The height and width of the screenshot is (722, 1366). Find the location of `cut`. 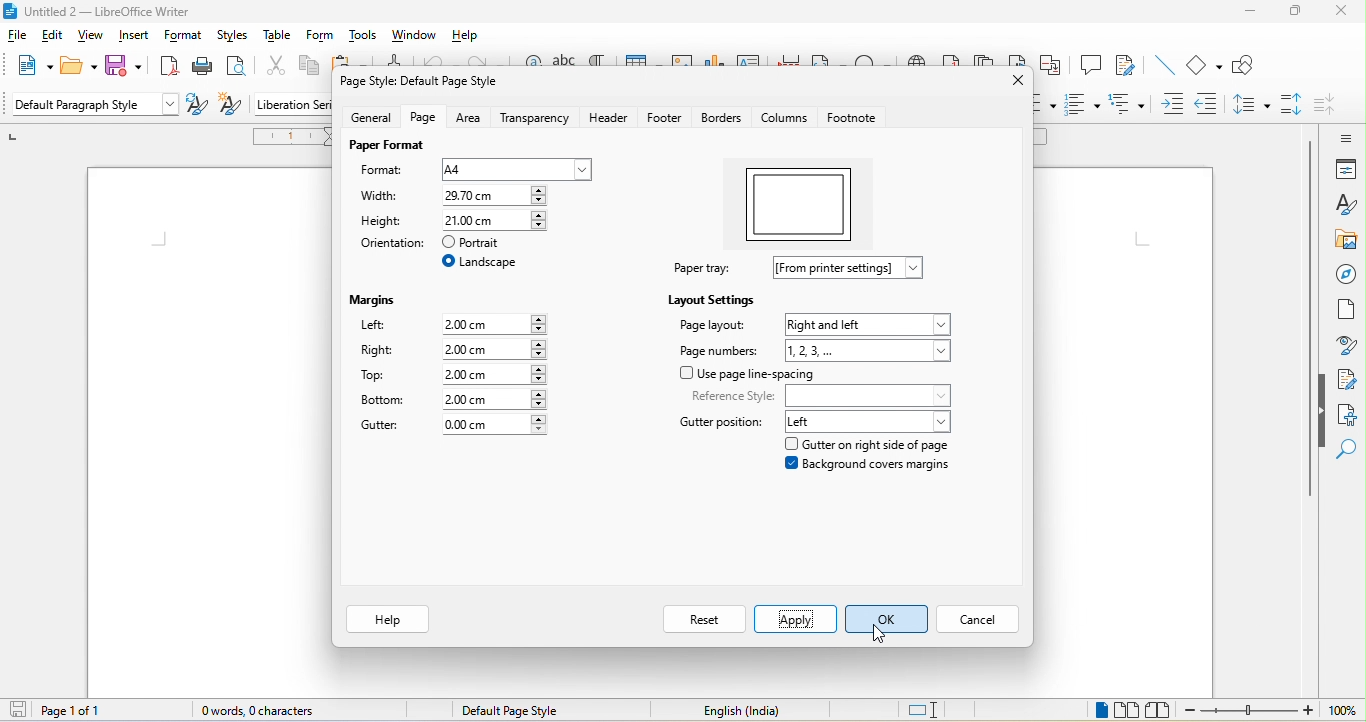

cut is located at coordinates (275, 71).